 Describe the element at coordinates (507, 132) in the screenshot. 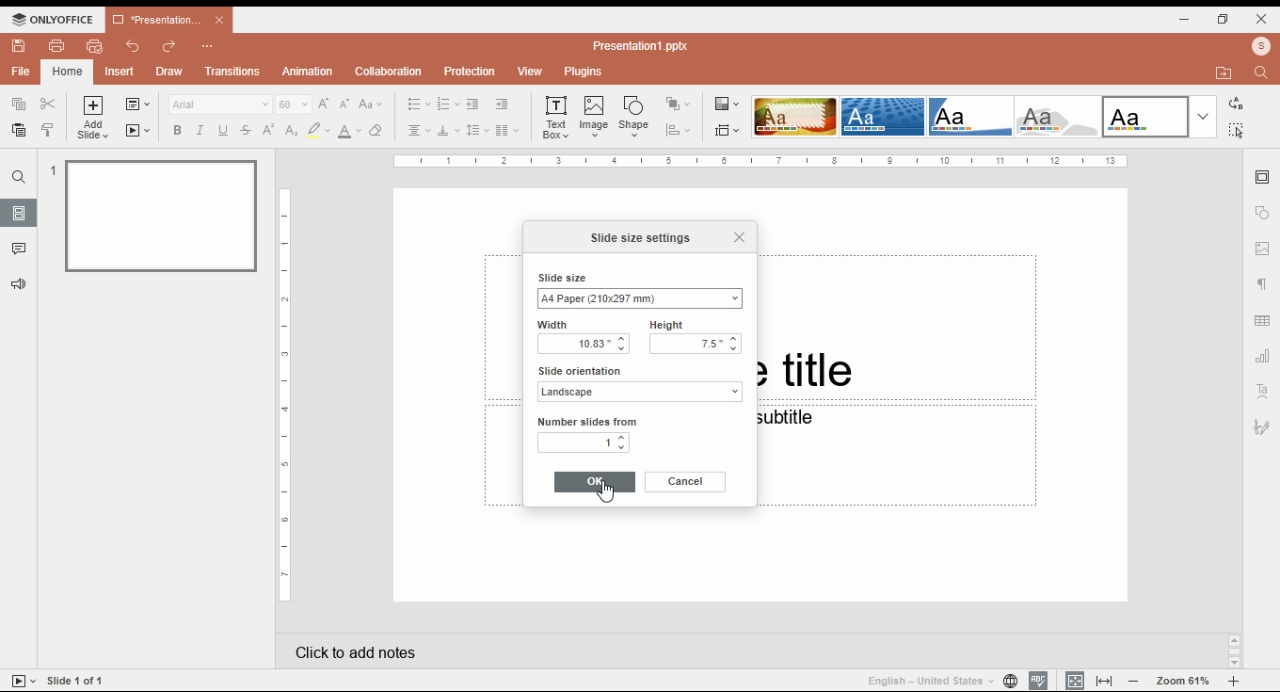

I see `insert columns` at that location.